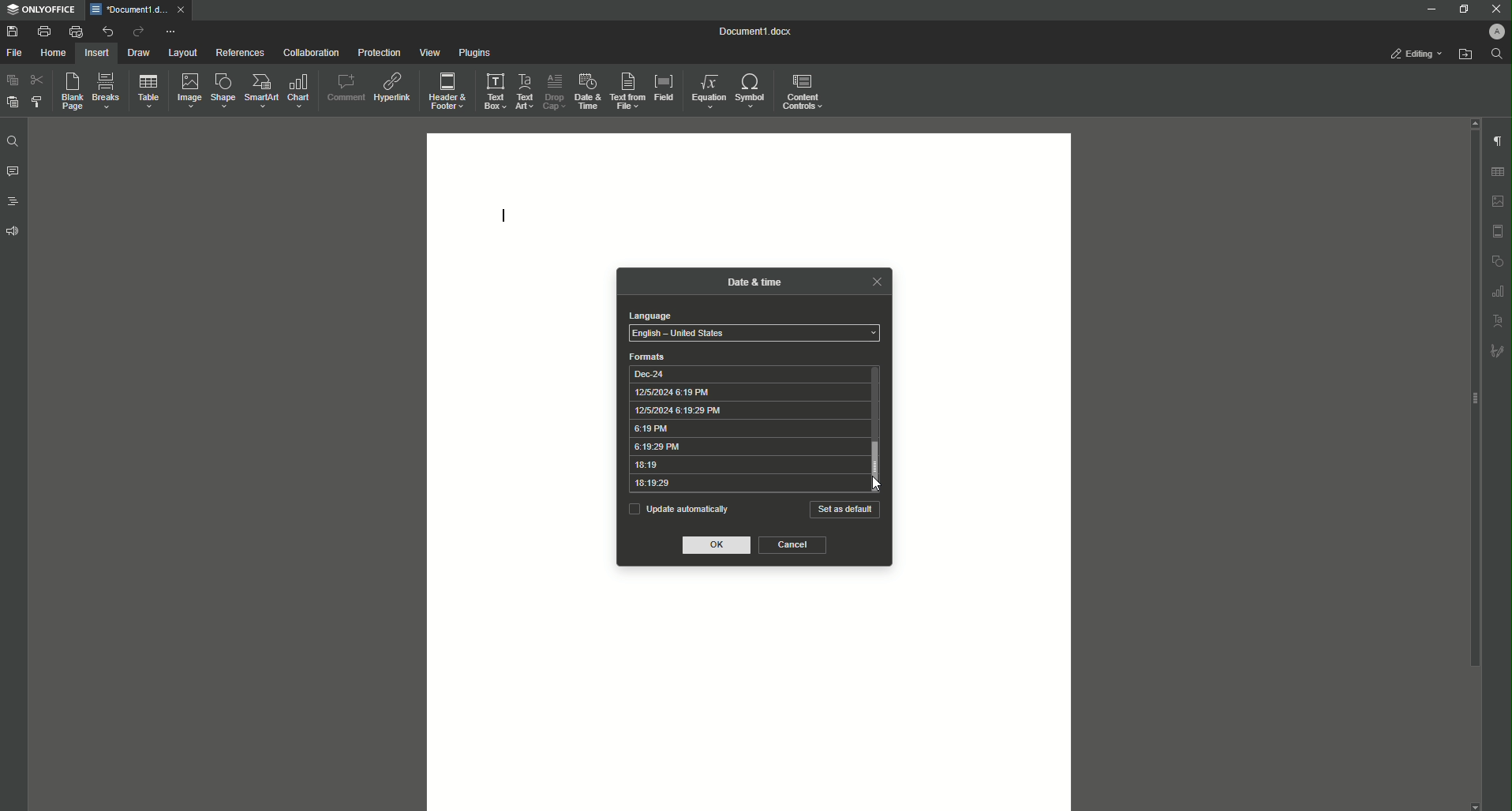  I want to click on Paste, so click(11, 80).